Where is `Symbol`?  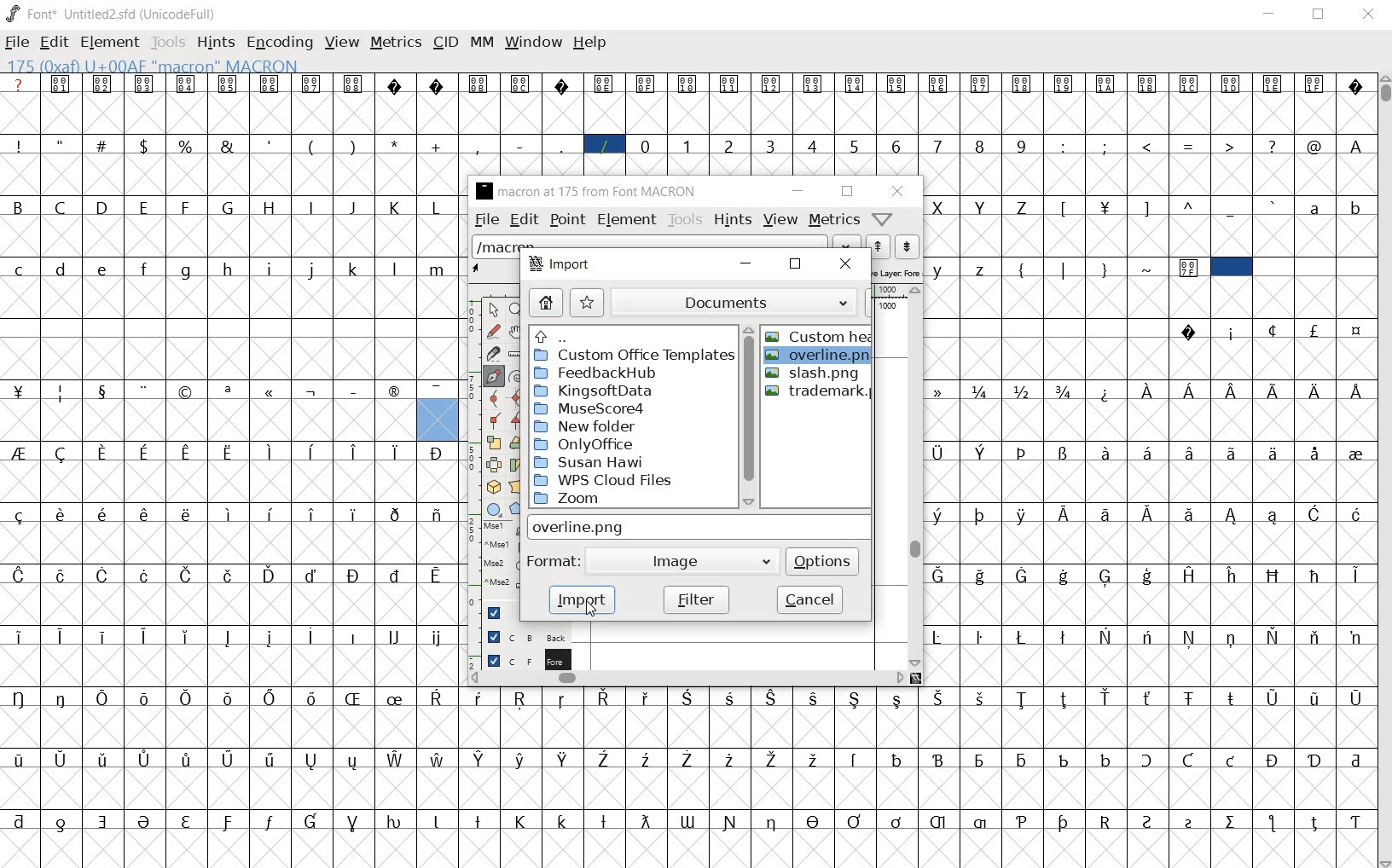
Symbol is located at coordinates (1230, 451).